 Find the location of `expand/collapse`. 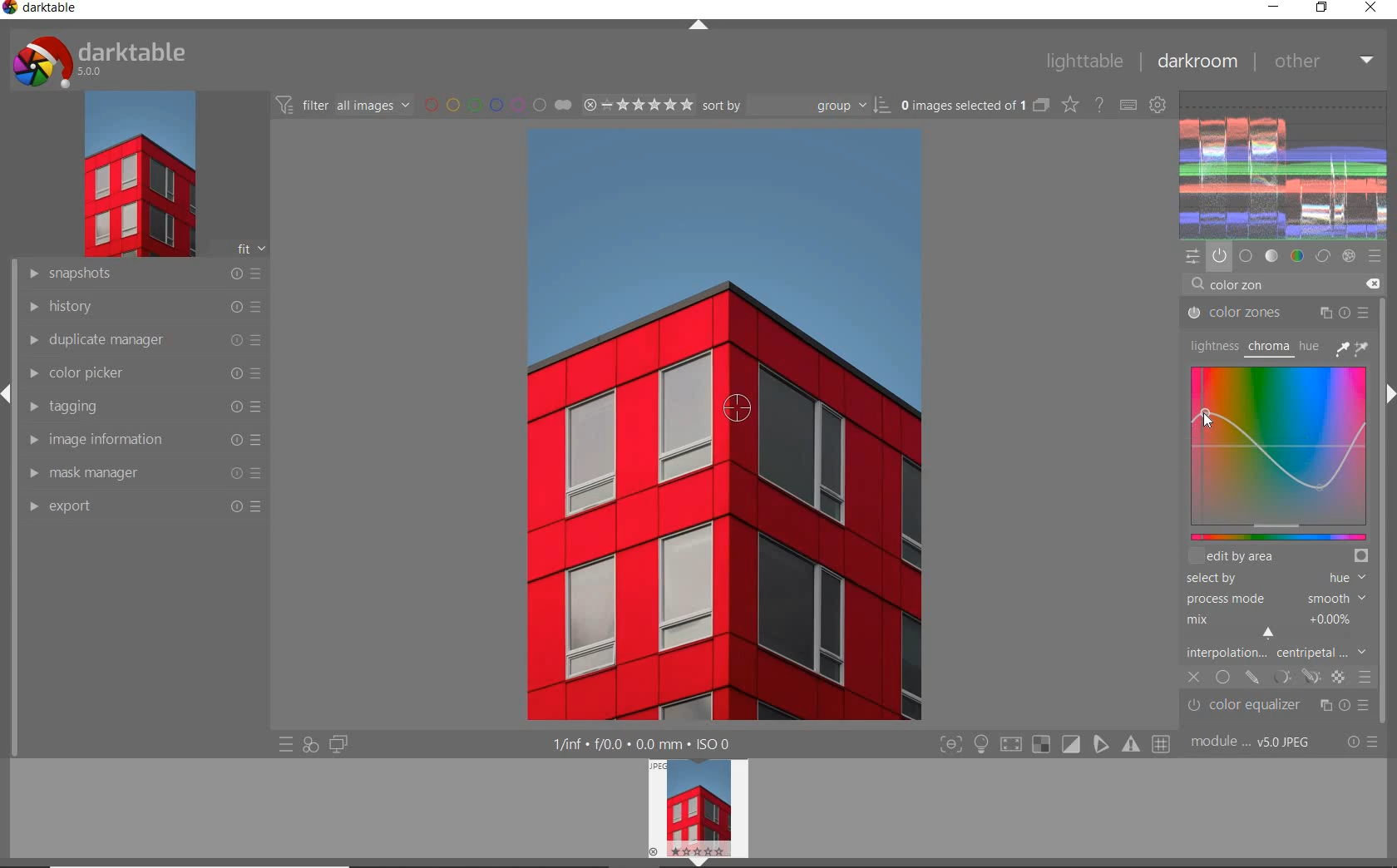

expand/collapse is located at coordinates (8, 396).